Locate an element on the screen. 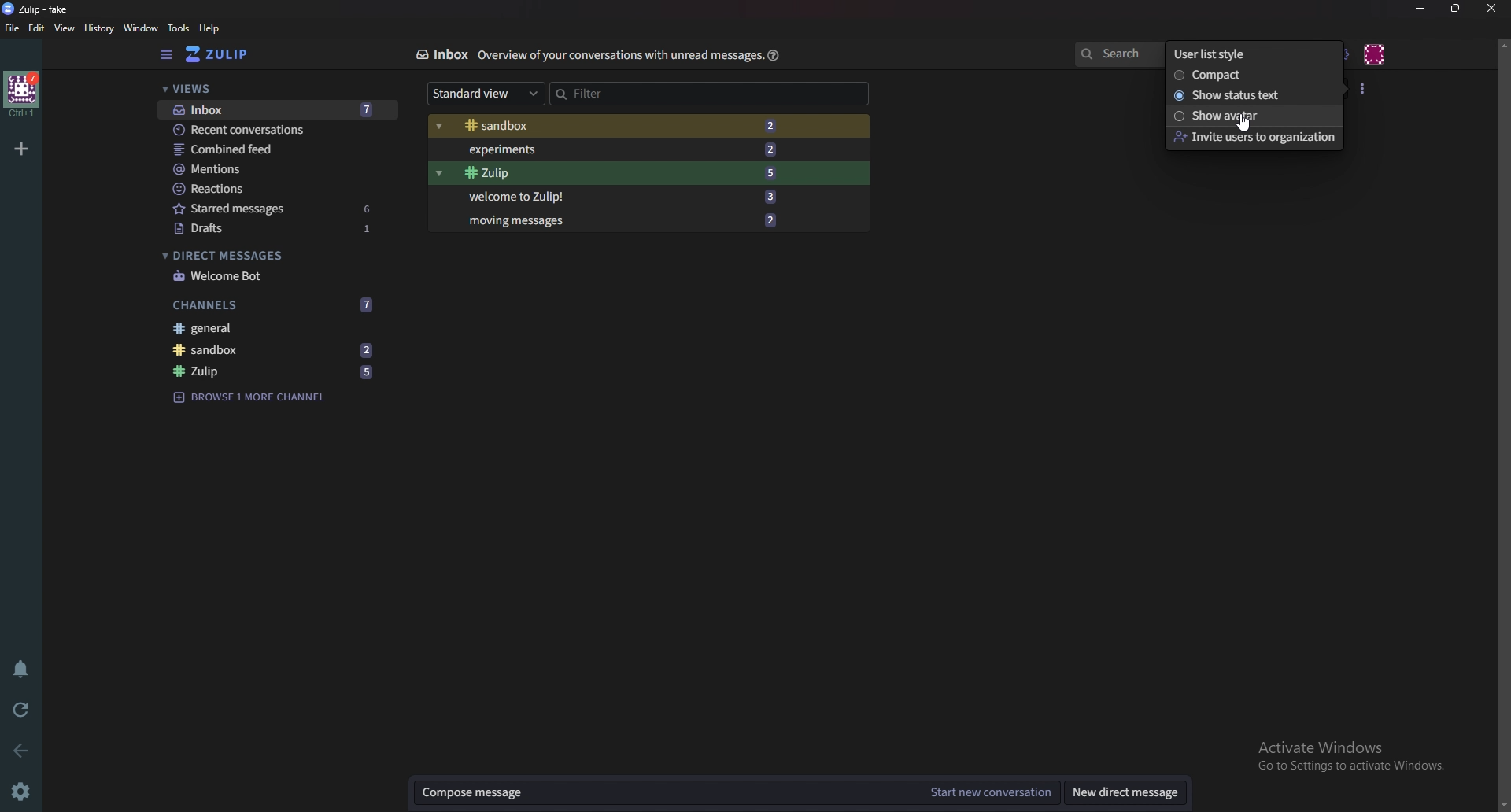 This screenshot has height=812, width=1511. History is located at coordinates (98, 29).